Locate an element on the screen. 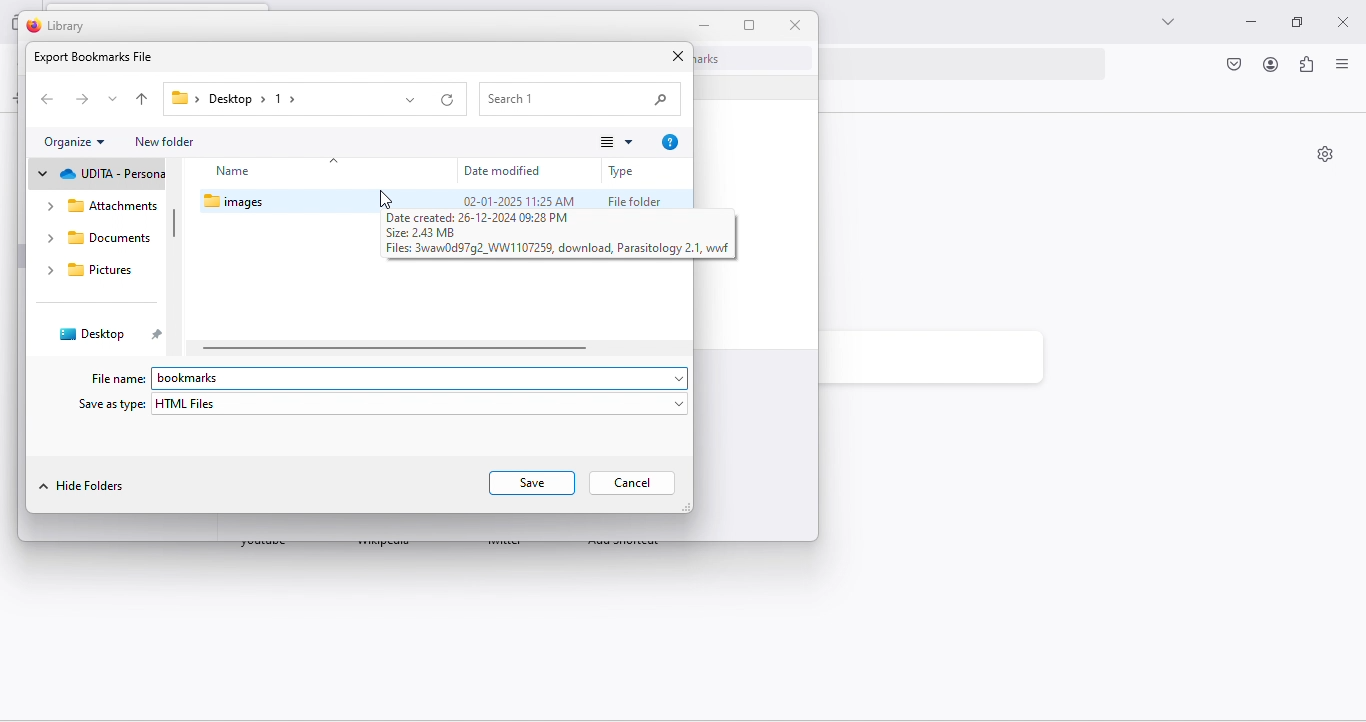 Image resolution: width=1366 pixels, height=722 pixels. organize is located at coordinates (75, 143).